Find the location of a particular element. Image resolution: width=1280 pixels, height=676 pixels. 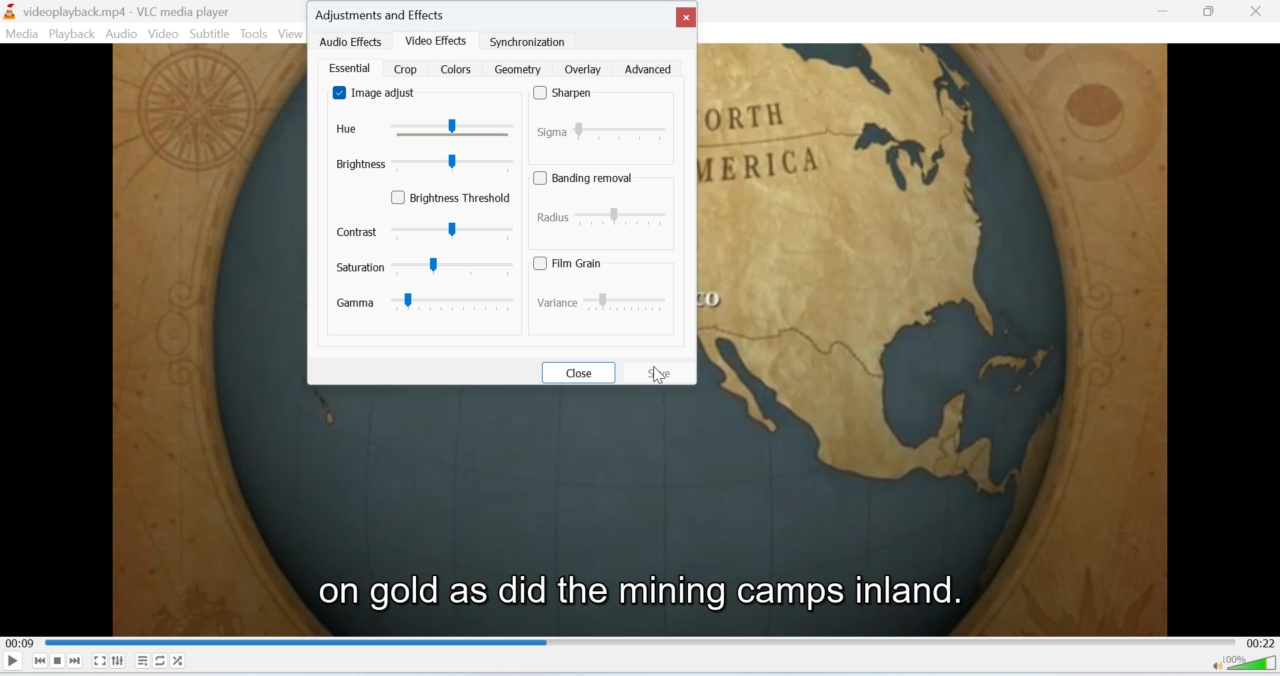

video effects is located at coordinates (437, 39).